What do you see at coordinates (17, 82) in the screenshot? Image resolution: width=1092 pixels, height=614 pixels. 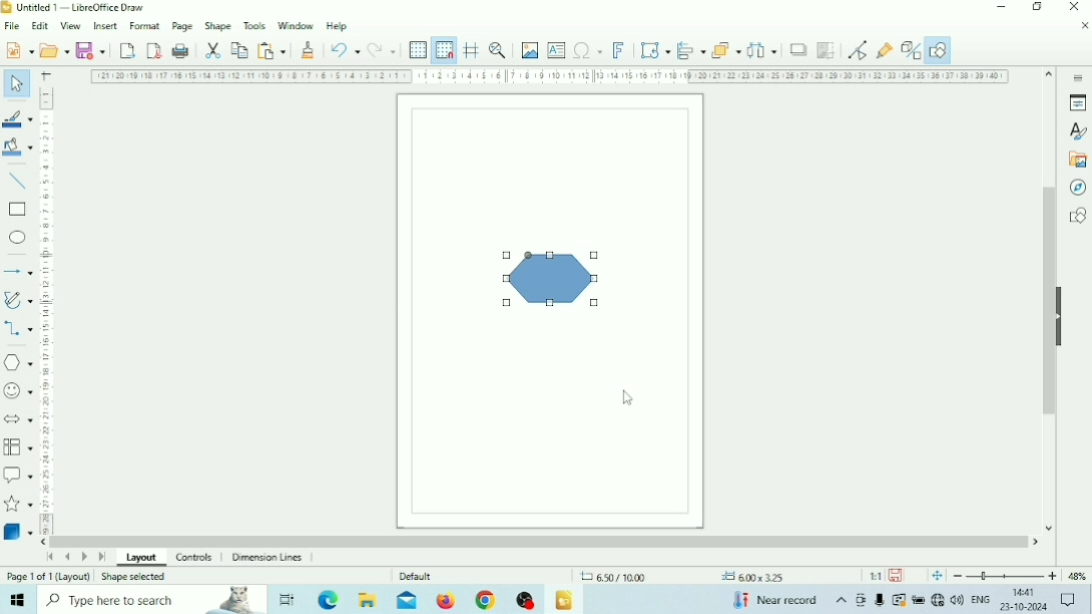 I see `Select` at bounding box center [17, 82].